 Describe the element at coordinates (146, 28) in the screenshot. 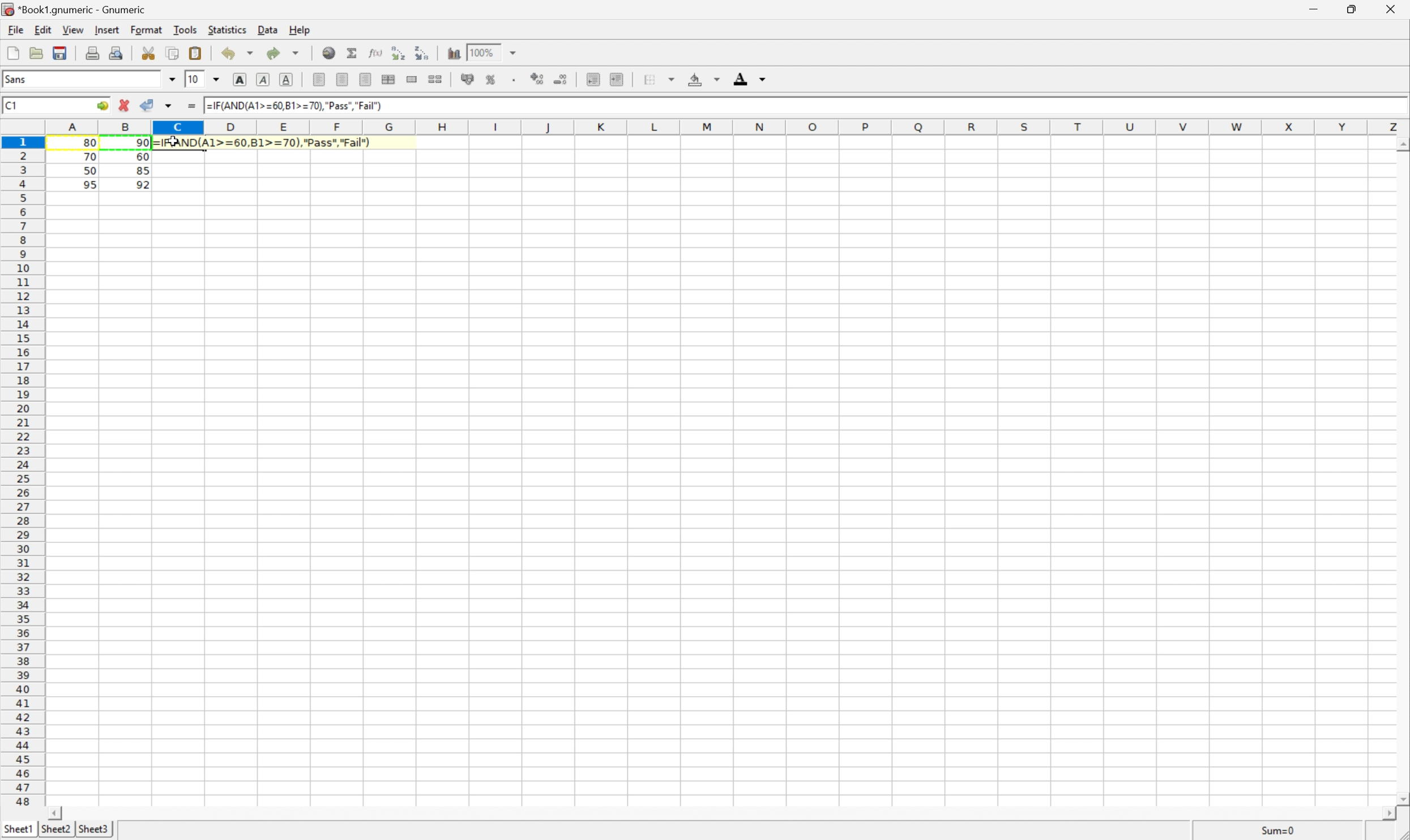

I see `Format` at that location.